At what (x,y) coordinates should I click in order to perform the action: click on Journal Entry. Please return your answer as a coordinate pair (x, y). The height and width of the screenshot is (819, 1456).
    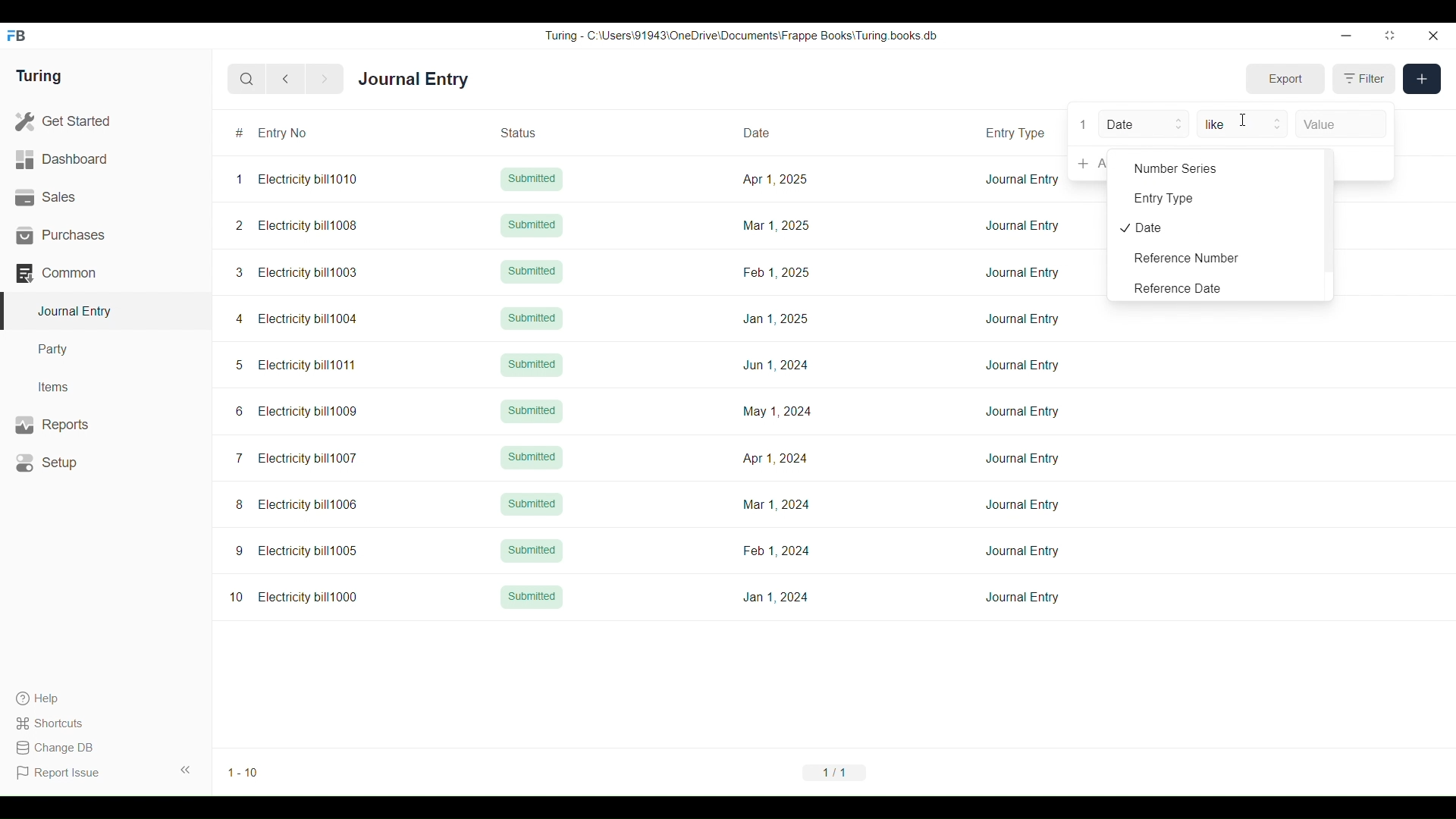
    Looking at the image, I should click on (1023, 412).